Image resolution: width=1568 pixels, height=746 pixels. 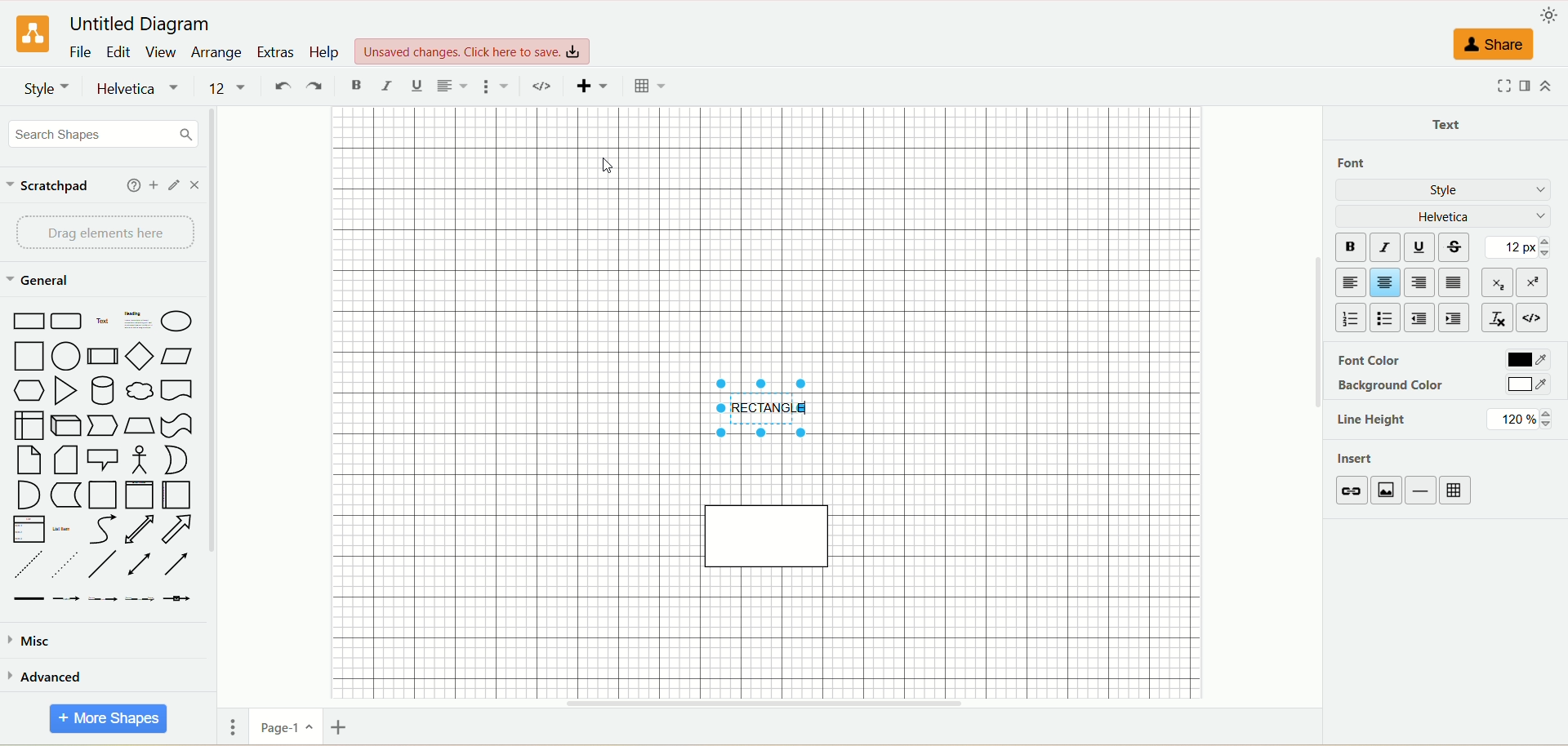 I want to click on page-1, so click(x=283, y=728).